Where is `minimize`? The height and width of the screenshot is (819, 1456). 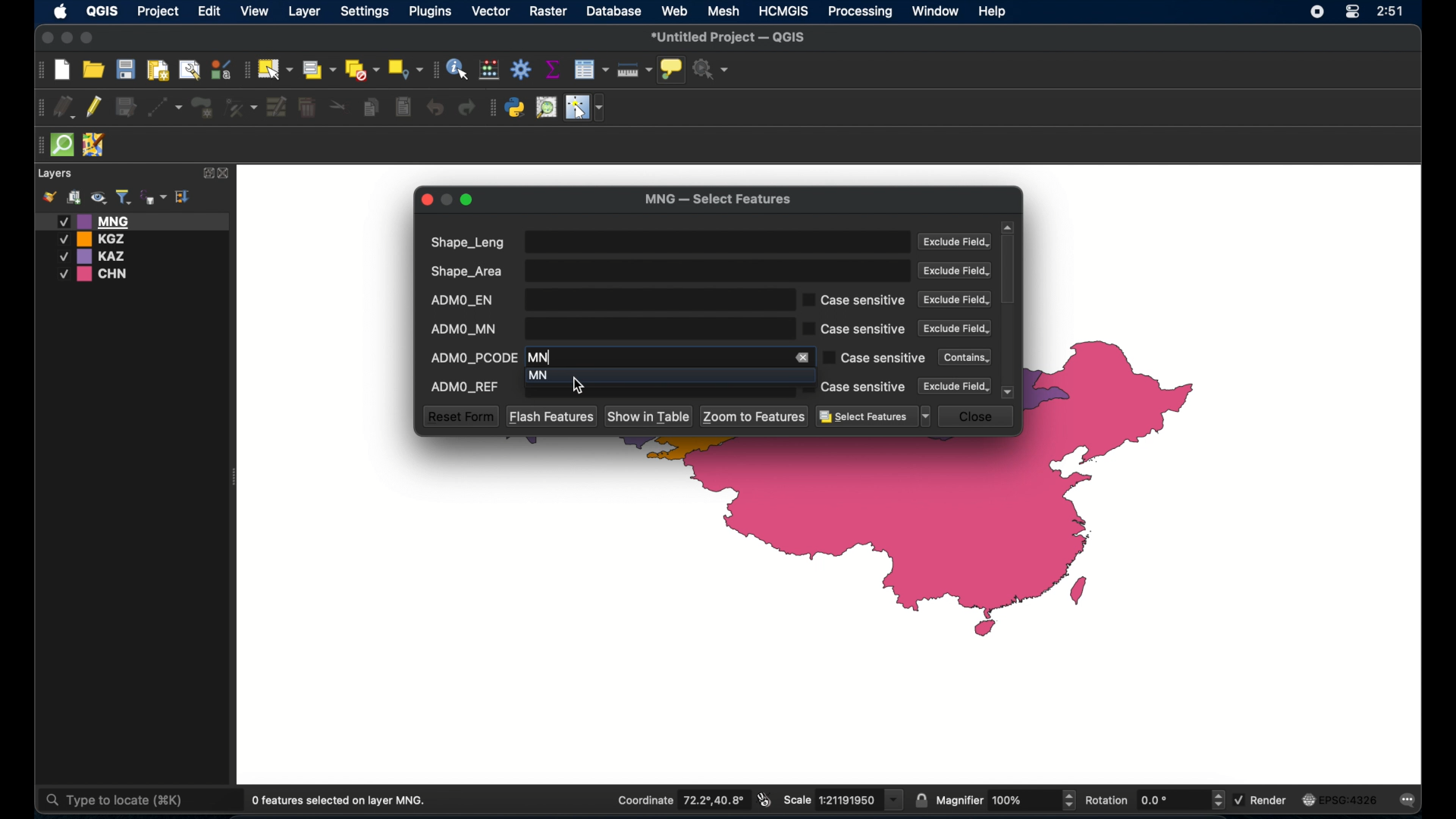
minimize is located at coordinates (68, 39).